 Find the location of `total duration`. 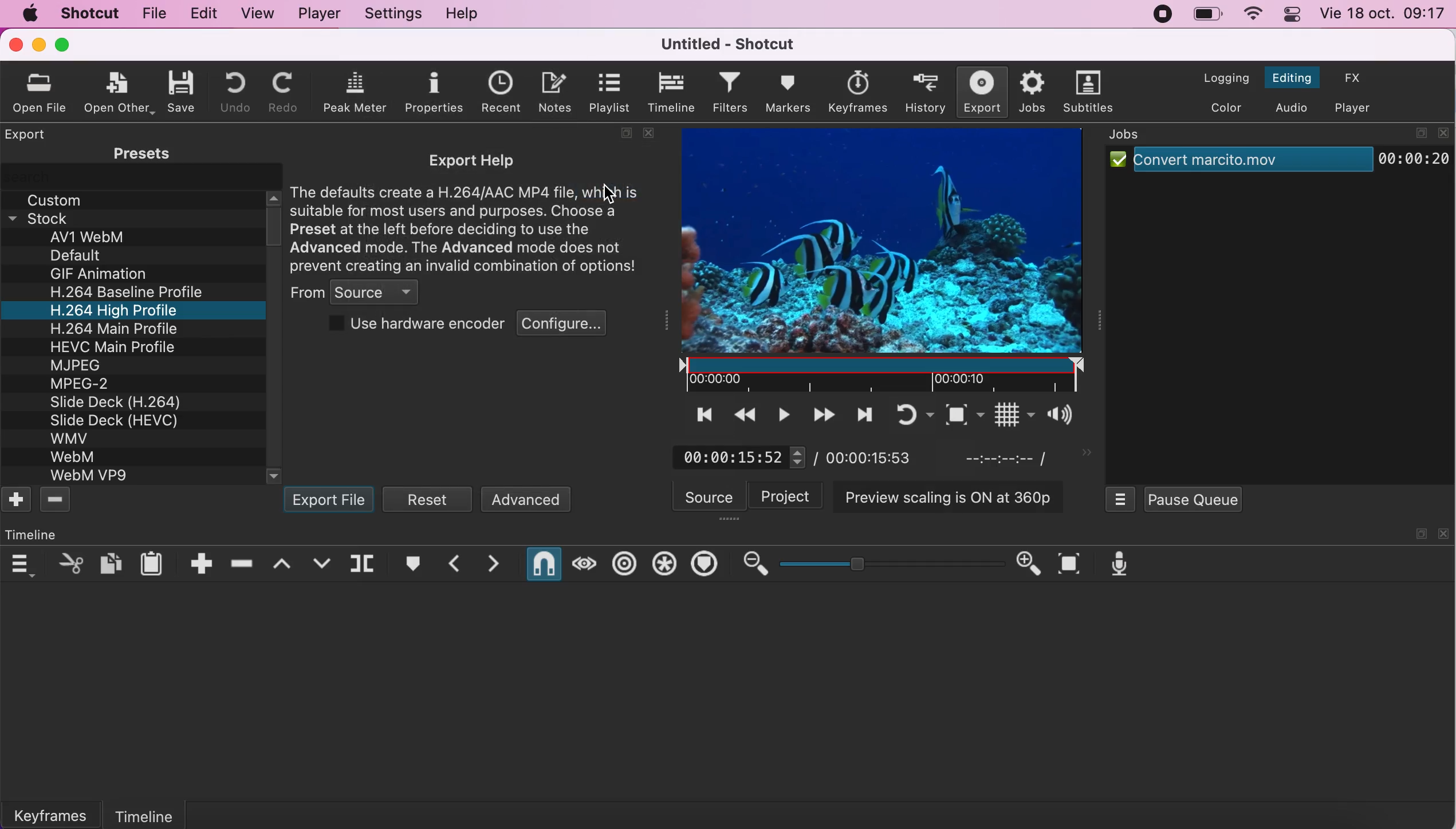

total duration is located at coordinates (880, 456).